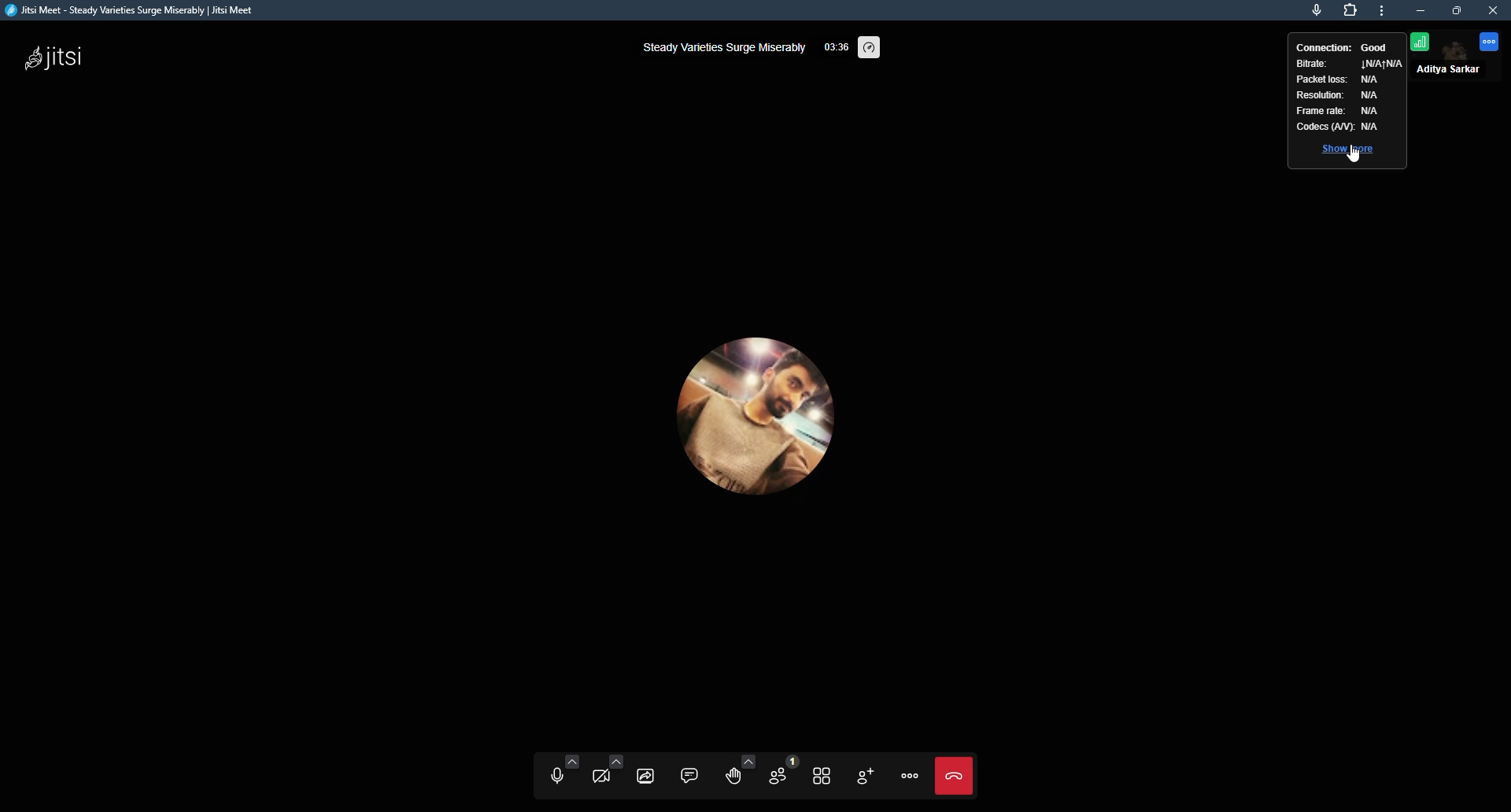 The height and width of the screenshot is (812, 1511). What do you see at coordinates (1306, 9) in the screenshot?
I see `microphone` at bounding box center [1306, 9].